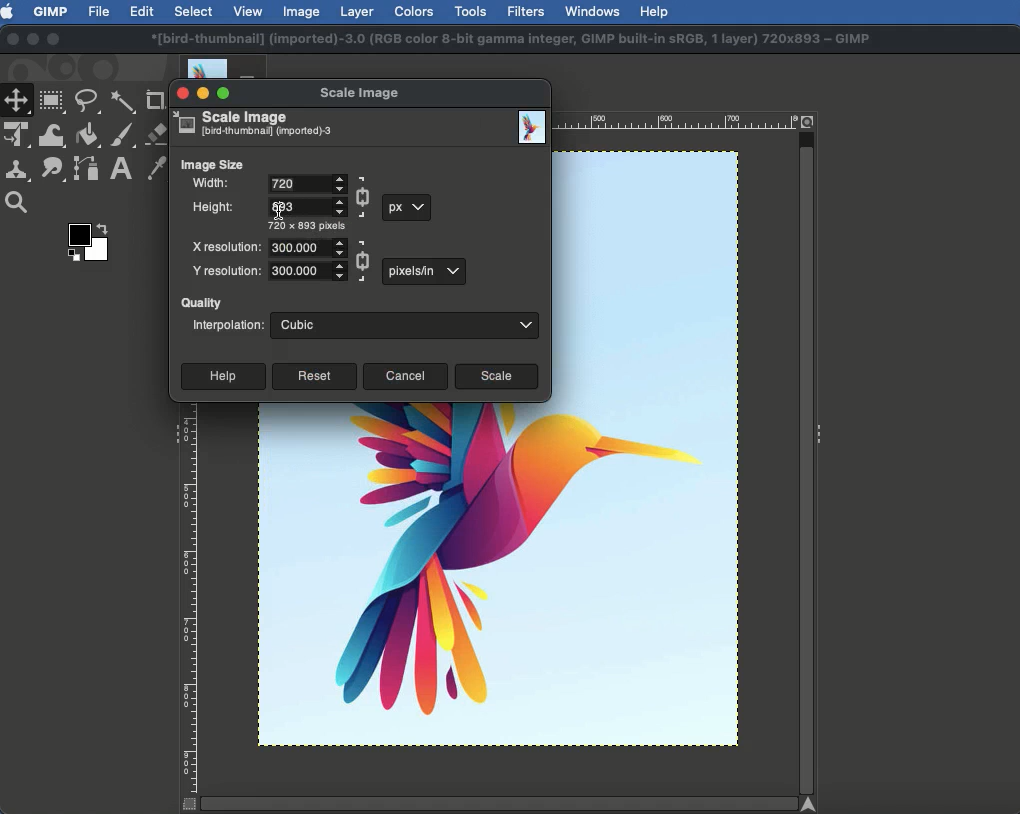 The image size is (1020, 814). I want to click on X resolution, so click(225, 247).